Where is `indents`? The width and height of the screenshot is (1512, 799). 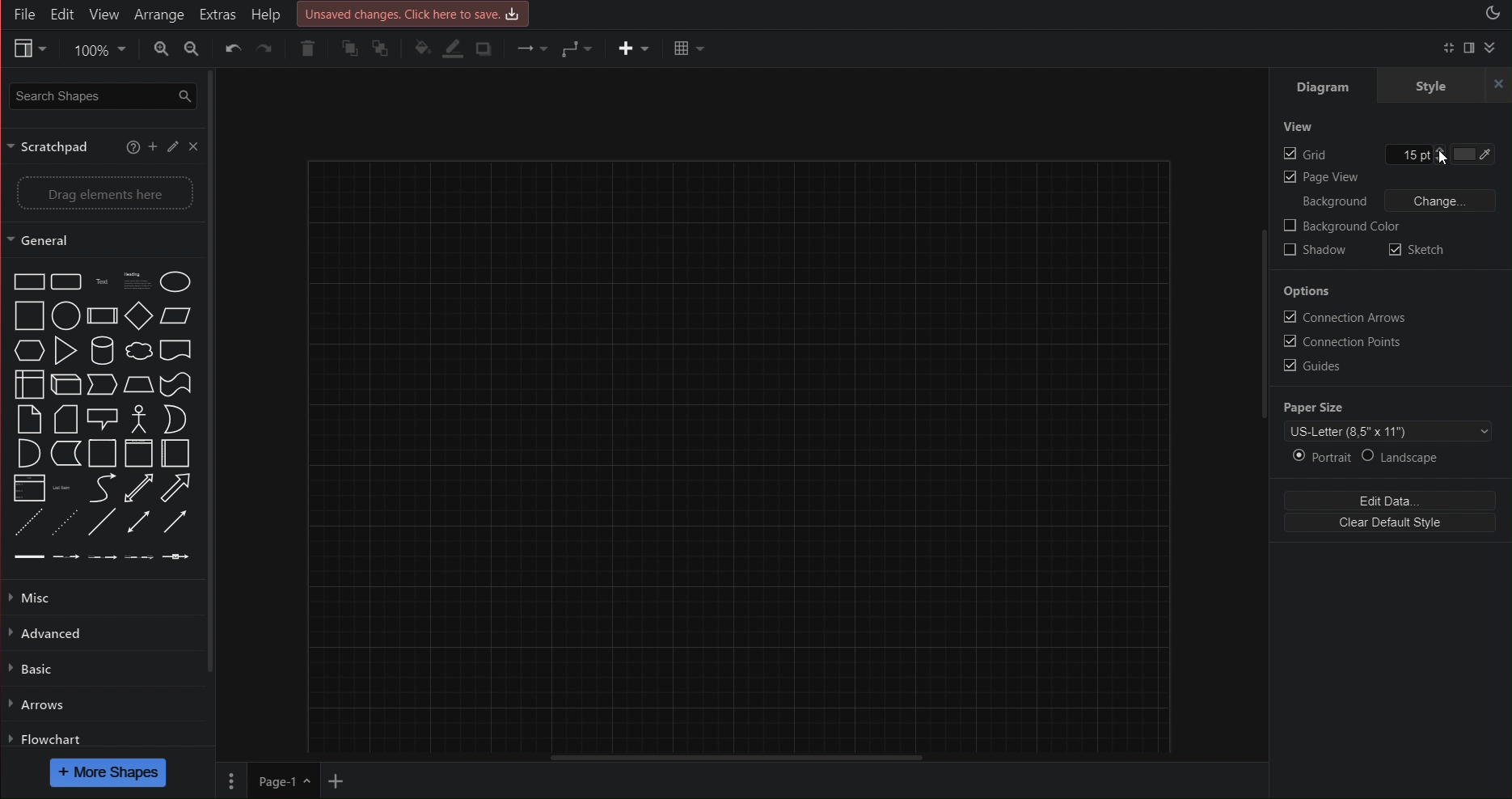 indents is located at coordinates (94, 556).